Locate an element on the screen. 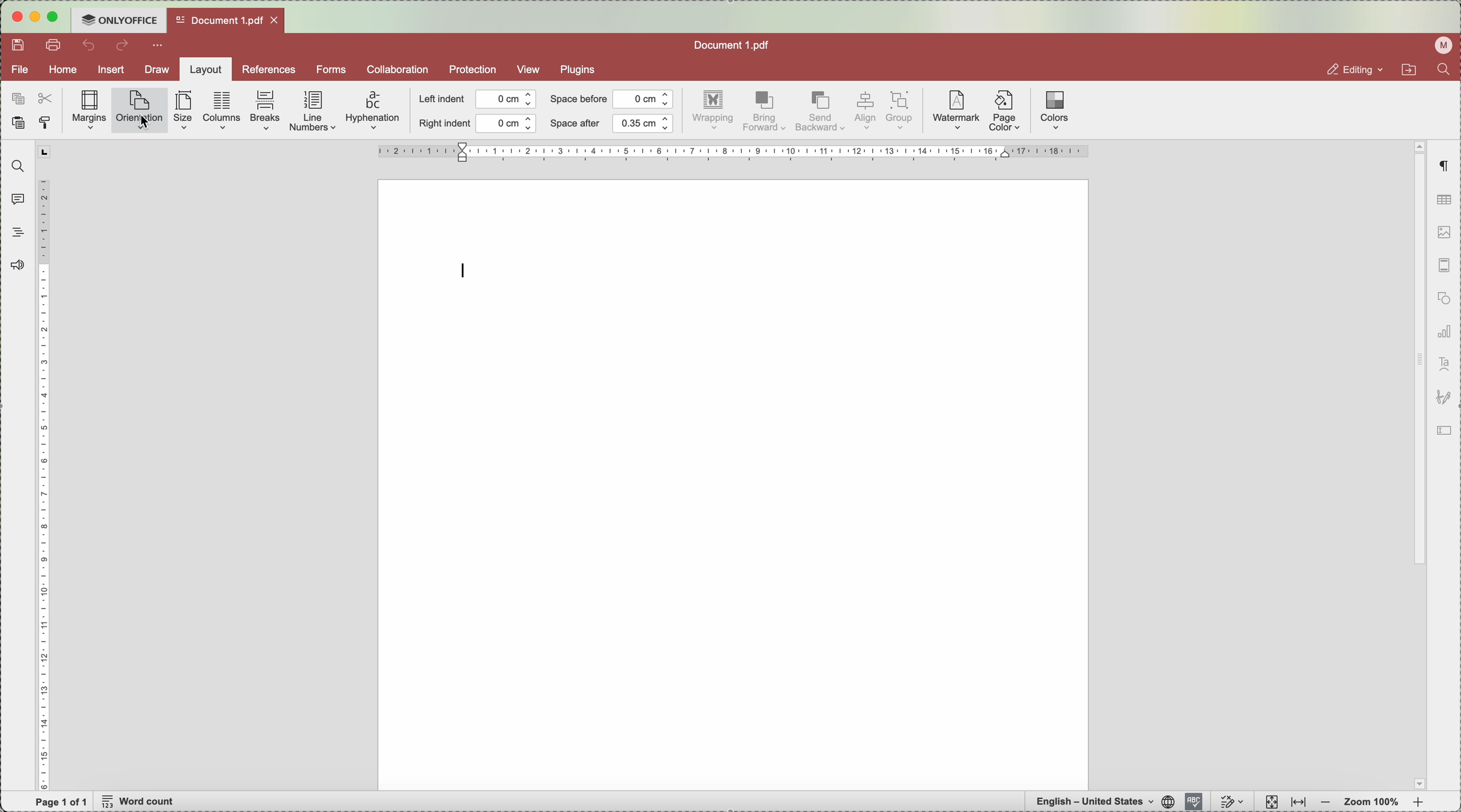 The width and height of the screenshot is (1461, 812). left indent is located at coordinates (478, 100).